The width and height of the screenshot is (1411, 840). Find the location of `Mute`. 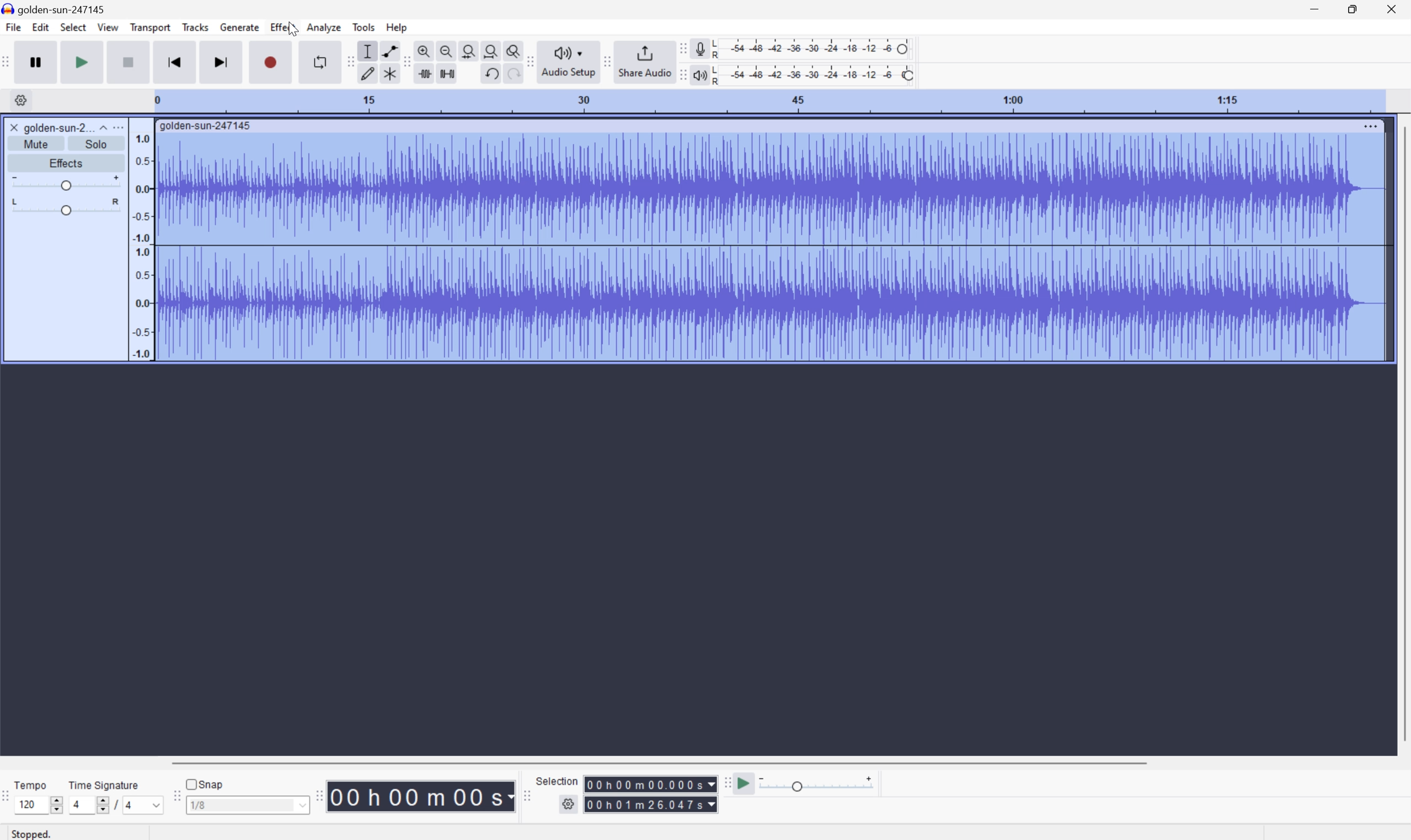

Mute is located at coordinates (36, 144).